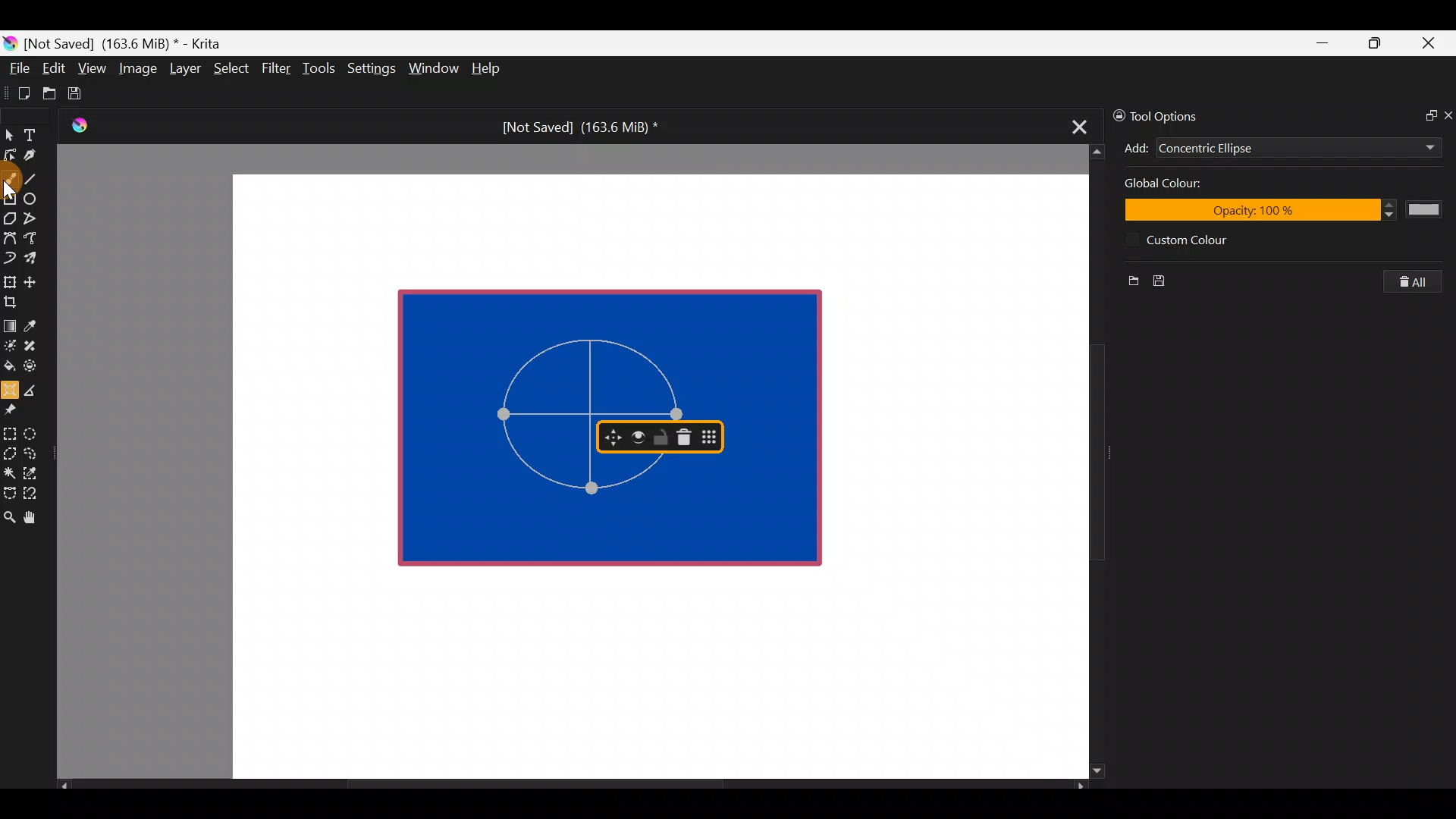 The height and width of the screenshot is (819, 1456). What do you see at coordinates (1374, 42) in the screenshot?
I see `Maximize` at bounding box center [1374, 42].